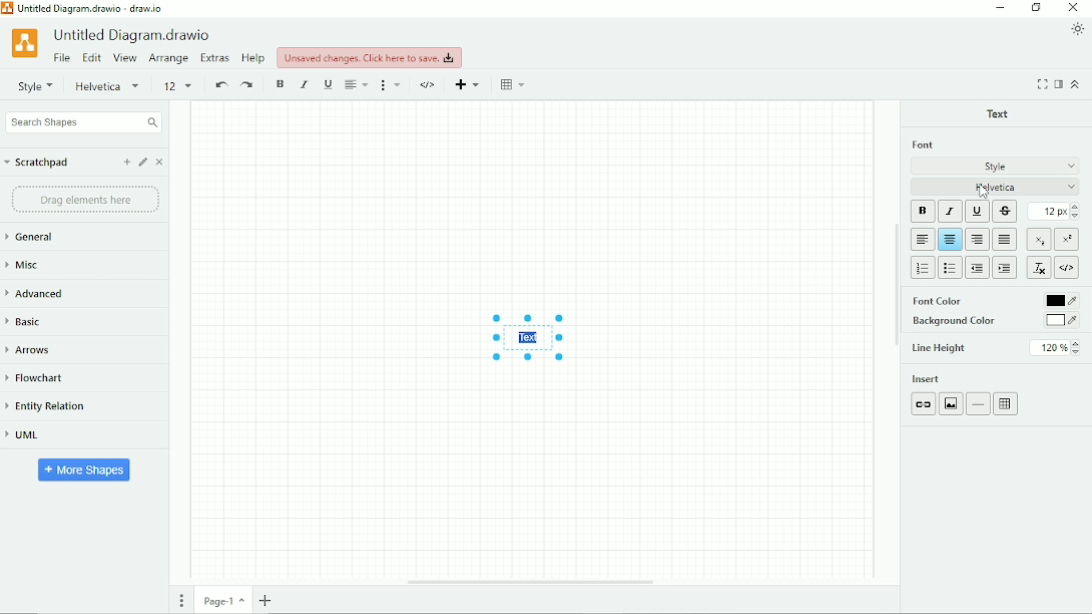 The width and height of the screenshot is (1092, 614). I want to click on Decrease indent, so click(978, 268).